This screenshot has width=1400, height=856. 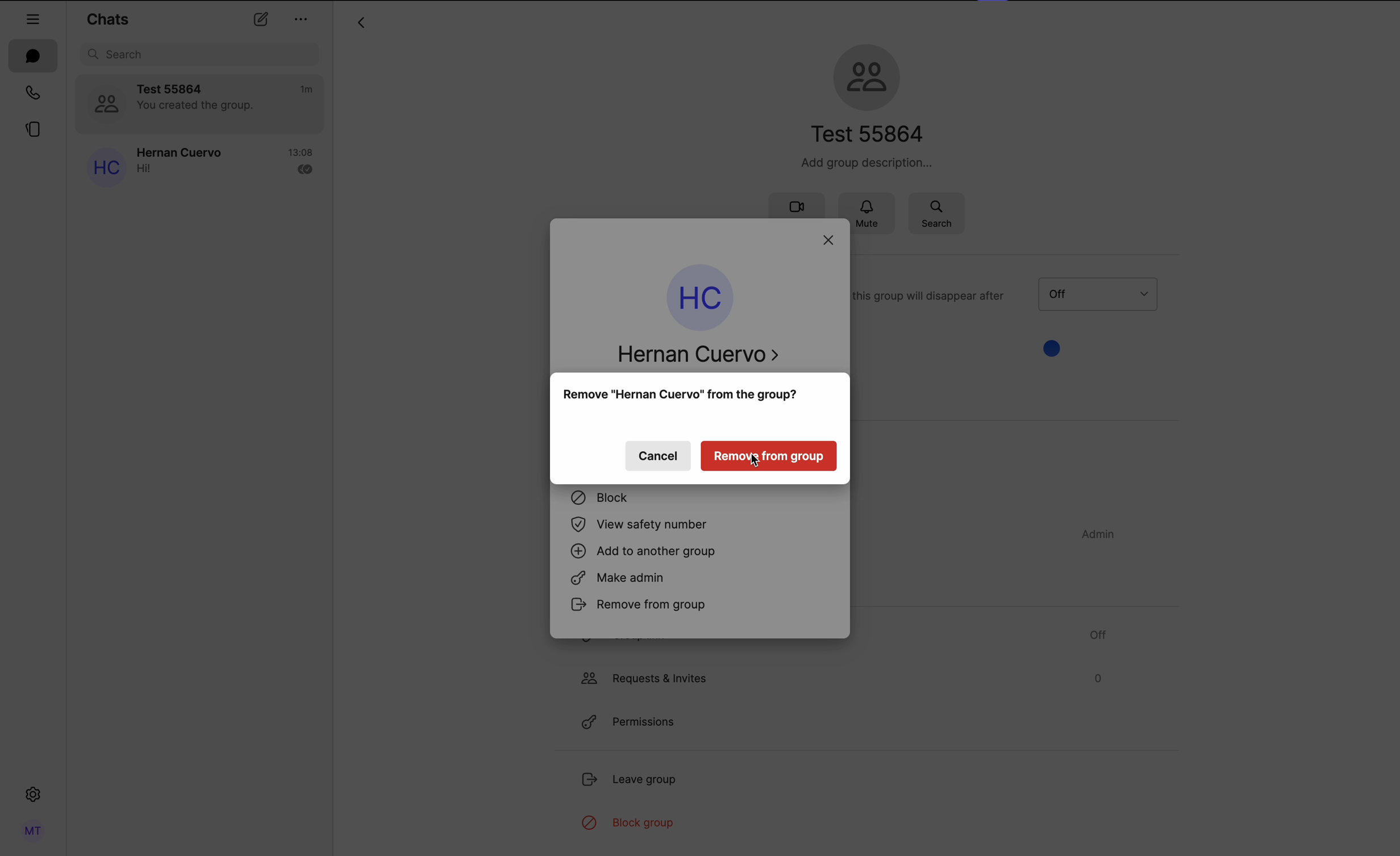 What do you see at coordinates (626, 723) in the screenshot?
I see `permissions` at bounding box center [626, 723].